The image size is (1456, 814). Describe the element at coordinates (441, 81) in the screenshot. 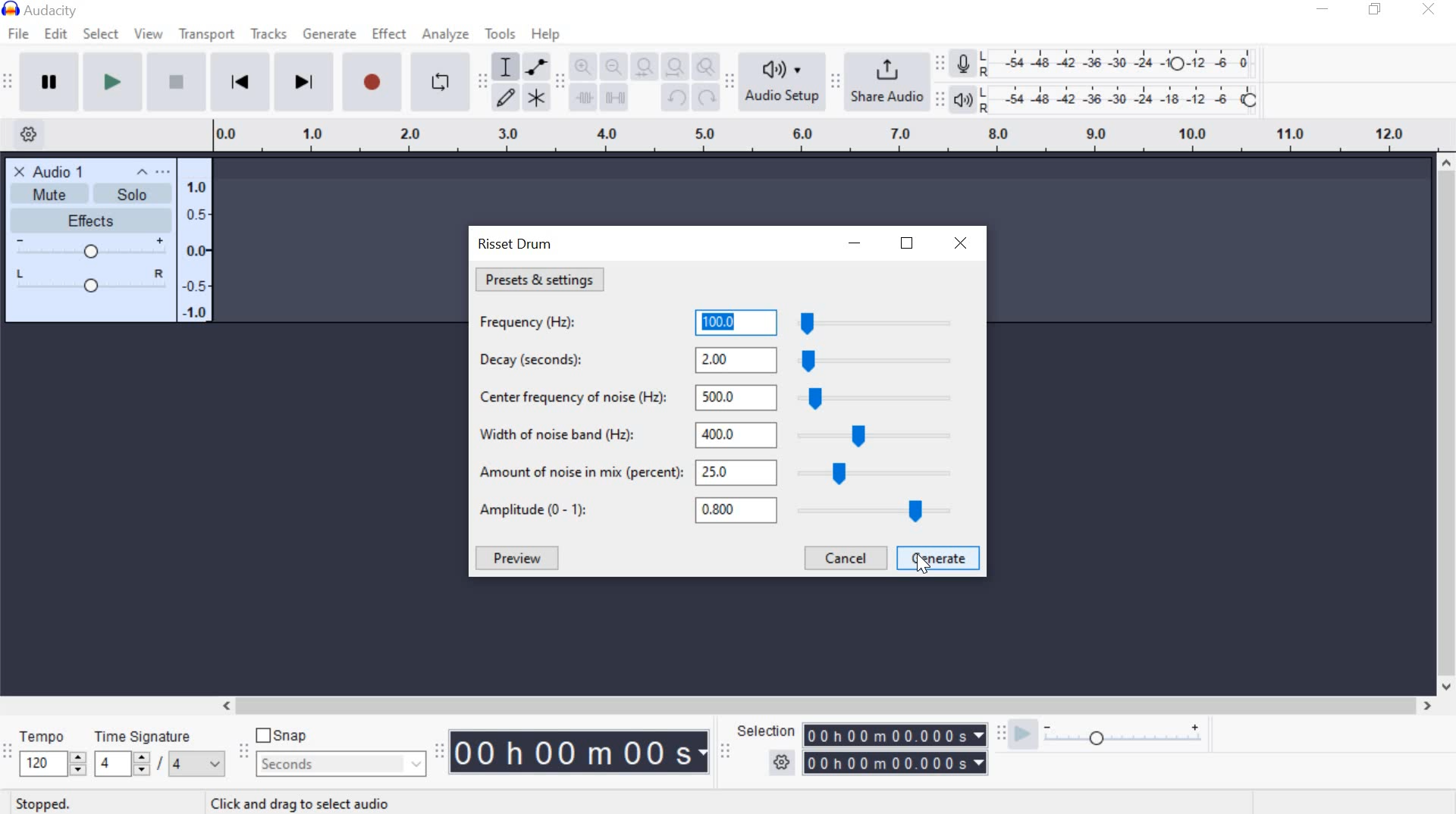

I see `Enable Looping` at that location.